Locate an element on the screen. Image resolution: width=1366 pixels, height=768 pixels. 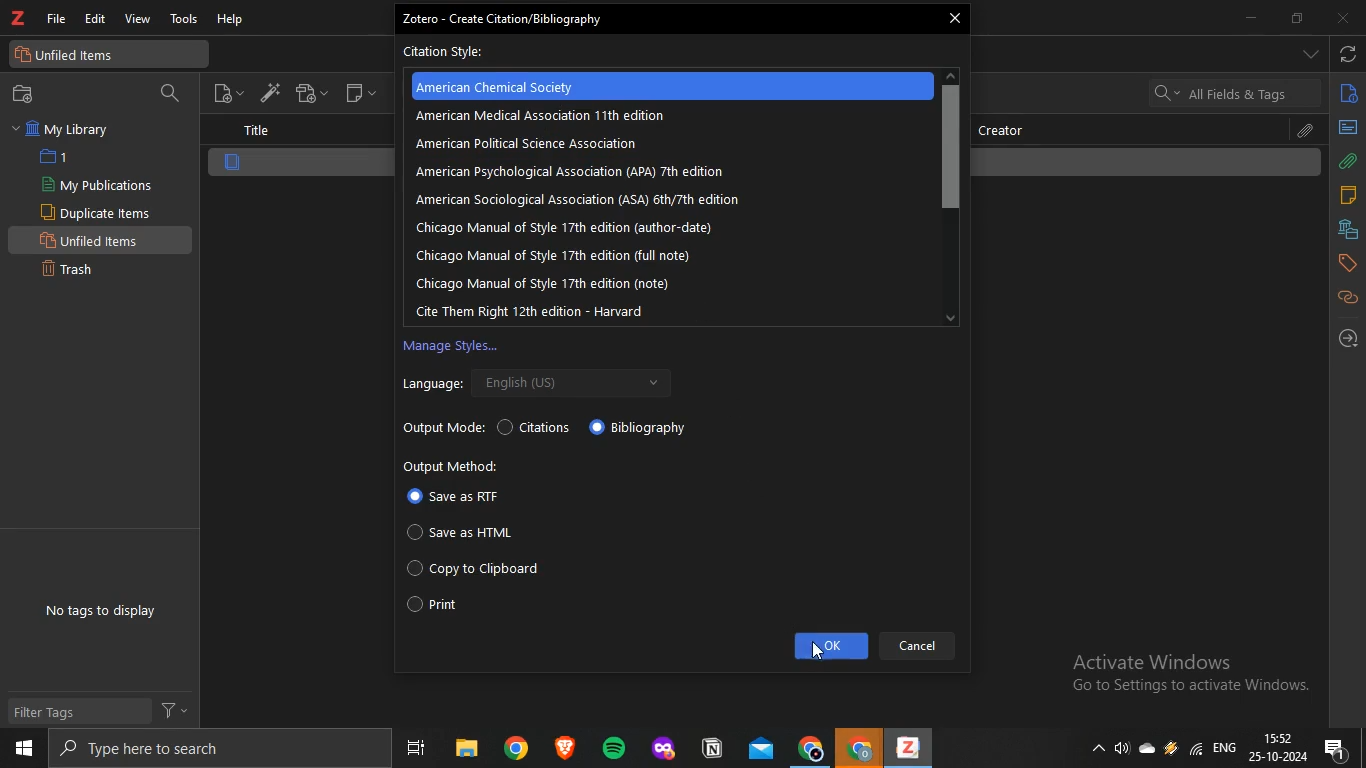
libraries and collections is located at coordinates (1348, 228).